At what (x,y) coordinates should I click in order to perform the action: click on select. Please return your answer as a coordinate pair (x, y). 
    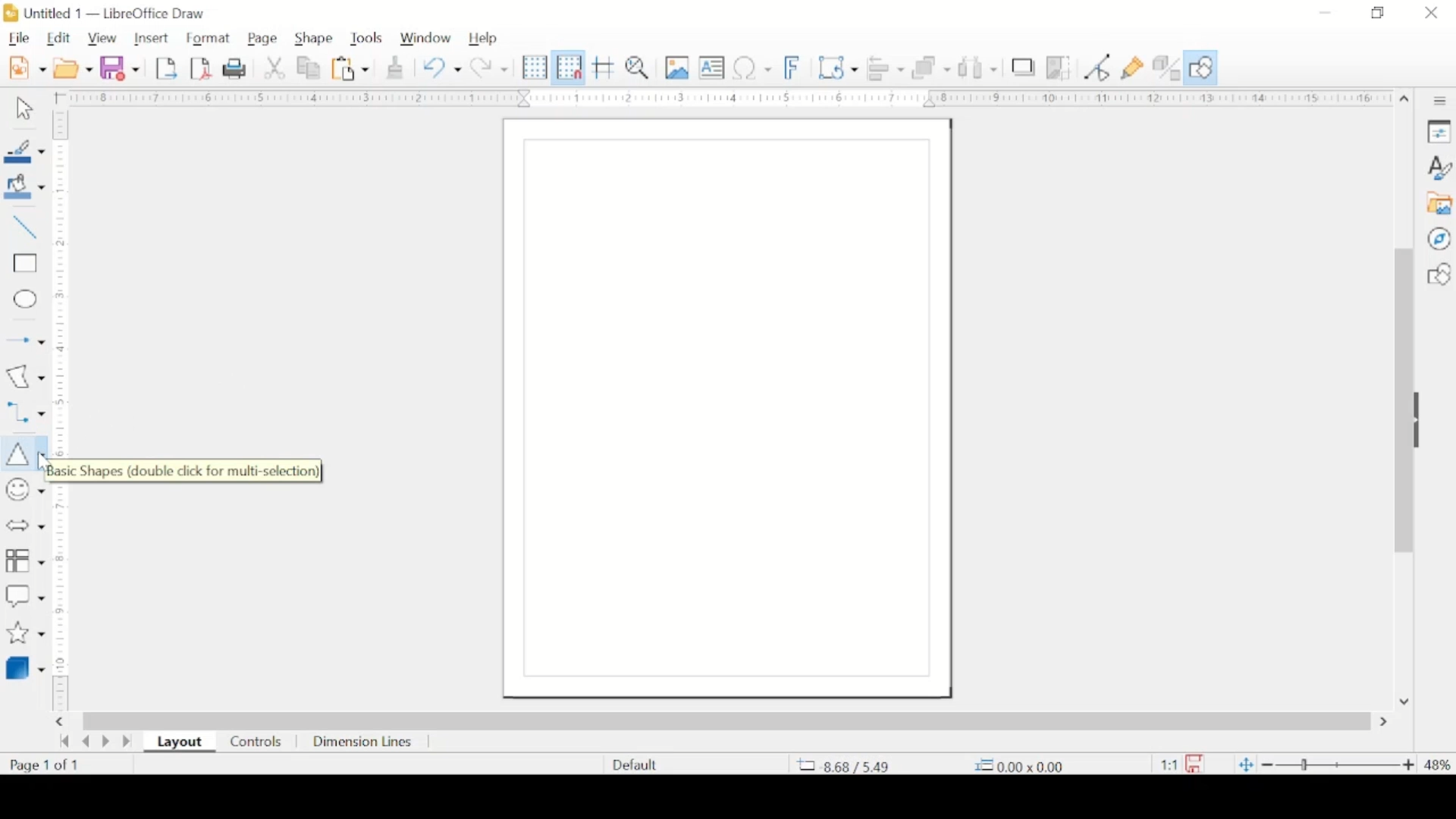
    Looking at the image, I should click on (24, 111).